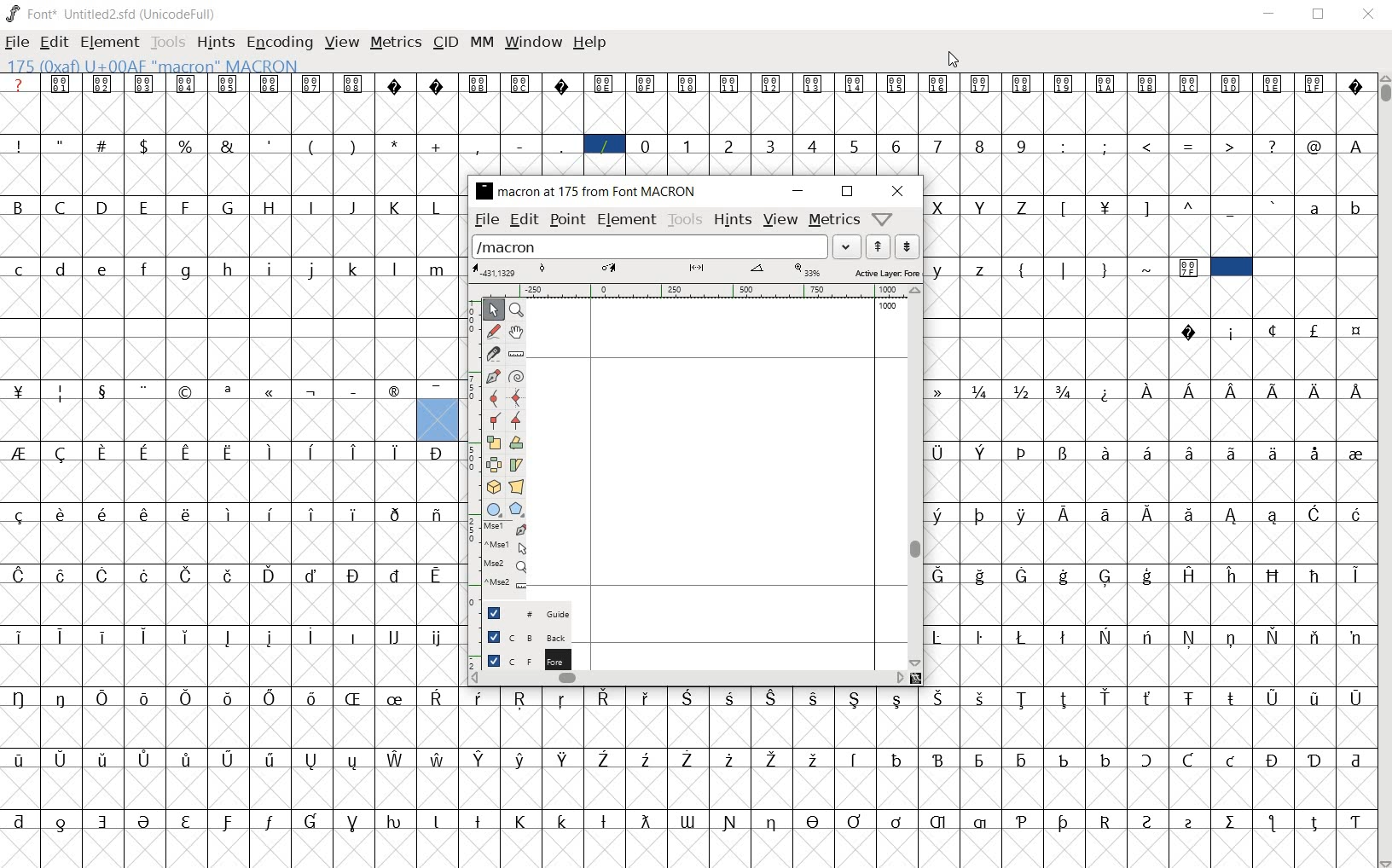 This screenshot has height=868, width=1392. What do you see at coordinates (491, 310) in the screenshot?
I see `point` at bounding box center [491, 310].